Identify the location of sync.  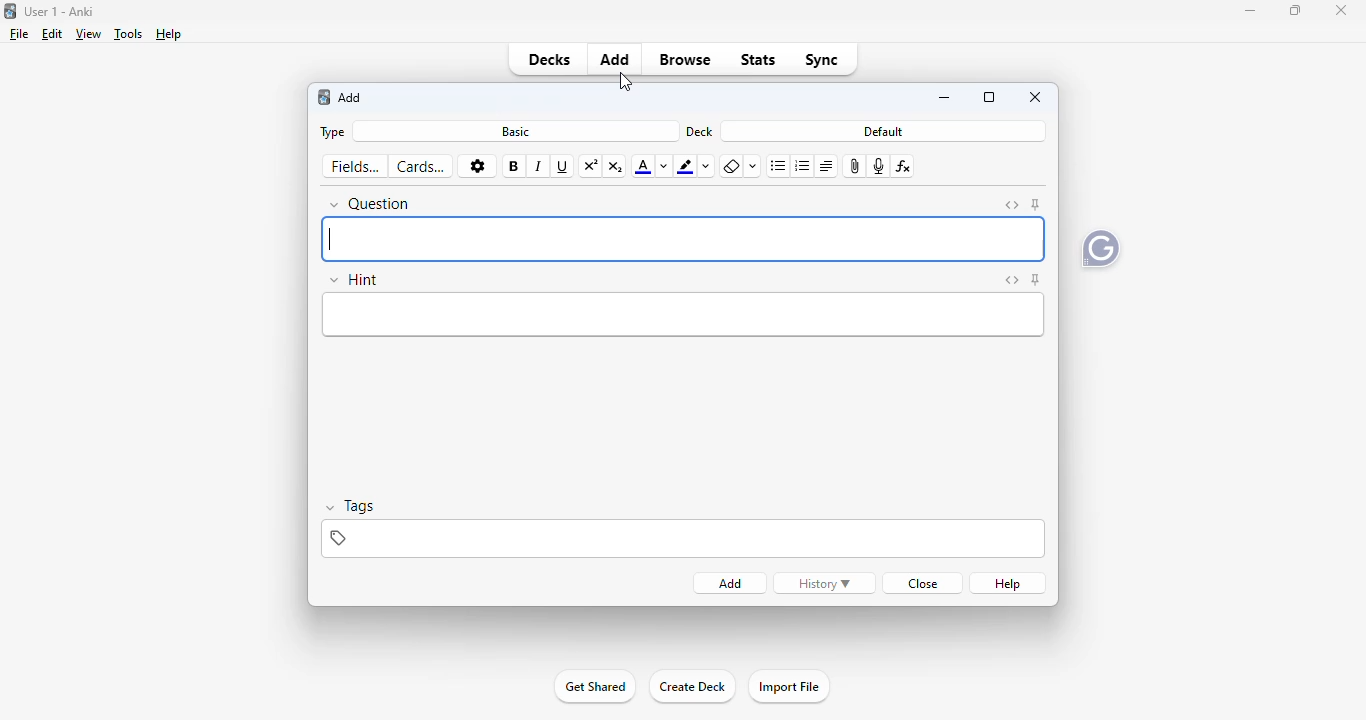
(820, 60).